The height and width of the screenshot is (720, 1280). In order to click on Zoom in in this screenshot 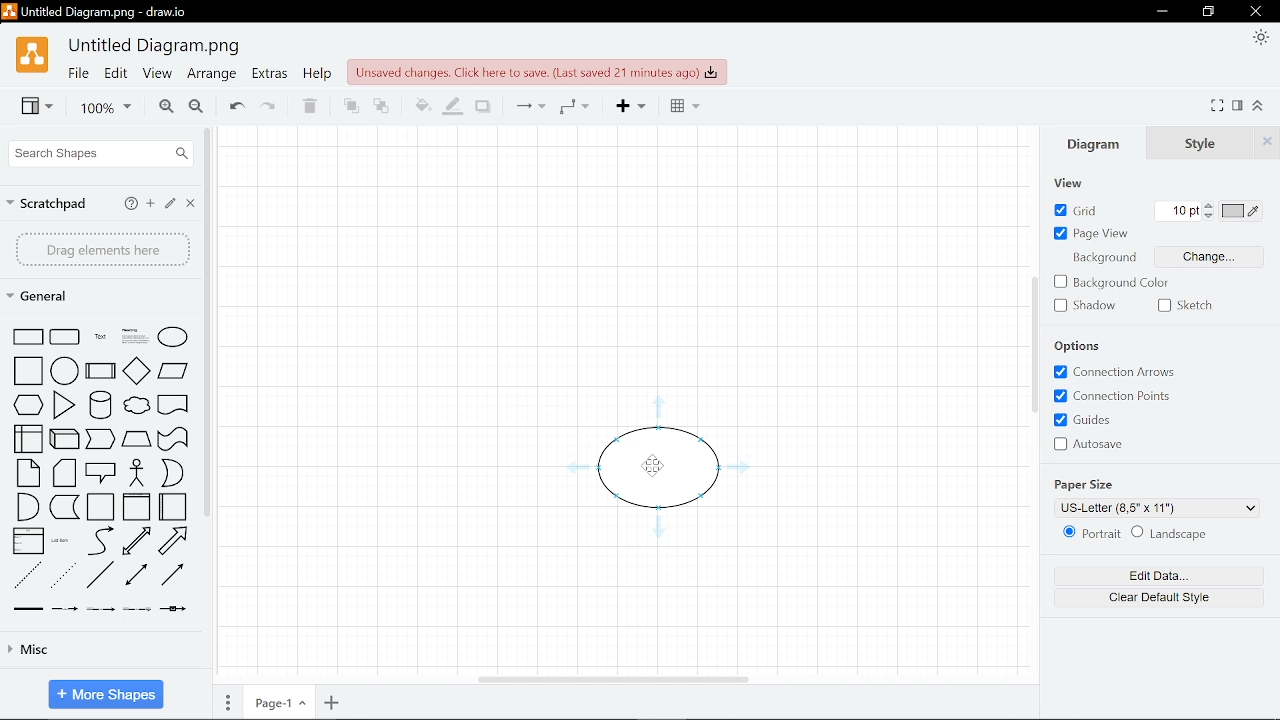, I will do `click(165, 106)`.